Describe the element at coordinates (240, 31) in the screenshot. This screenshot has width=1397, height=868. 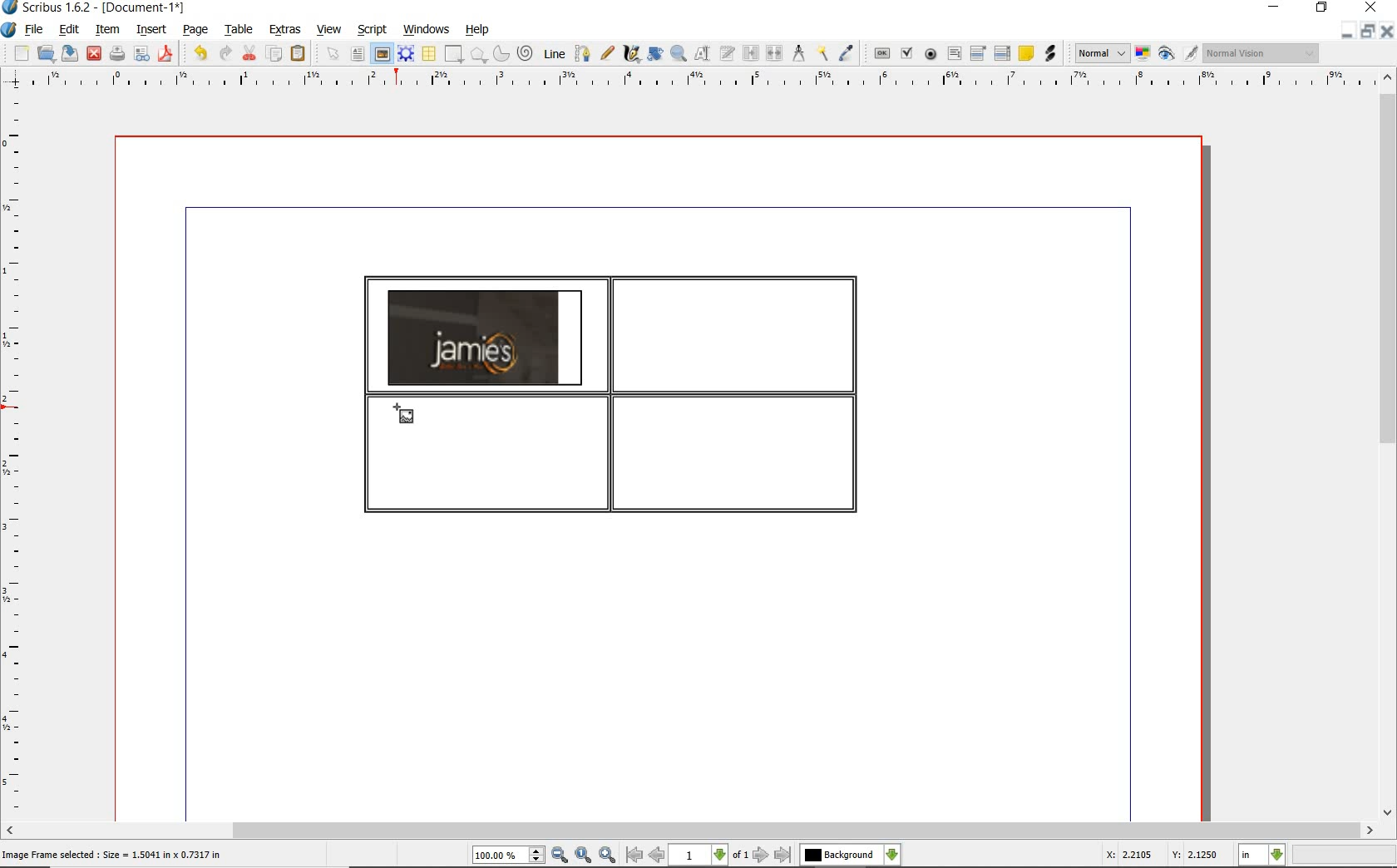
I see `table` at that location.